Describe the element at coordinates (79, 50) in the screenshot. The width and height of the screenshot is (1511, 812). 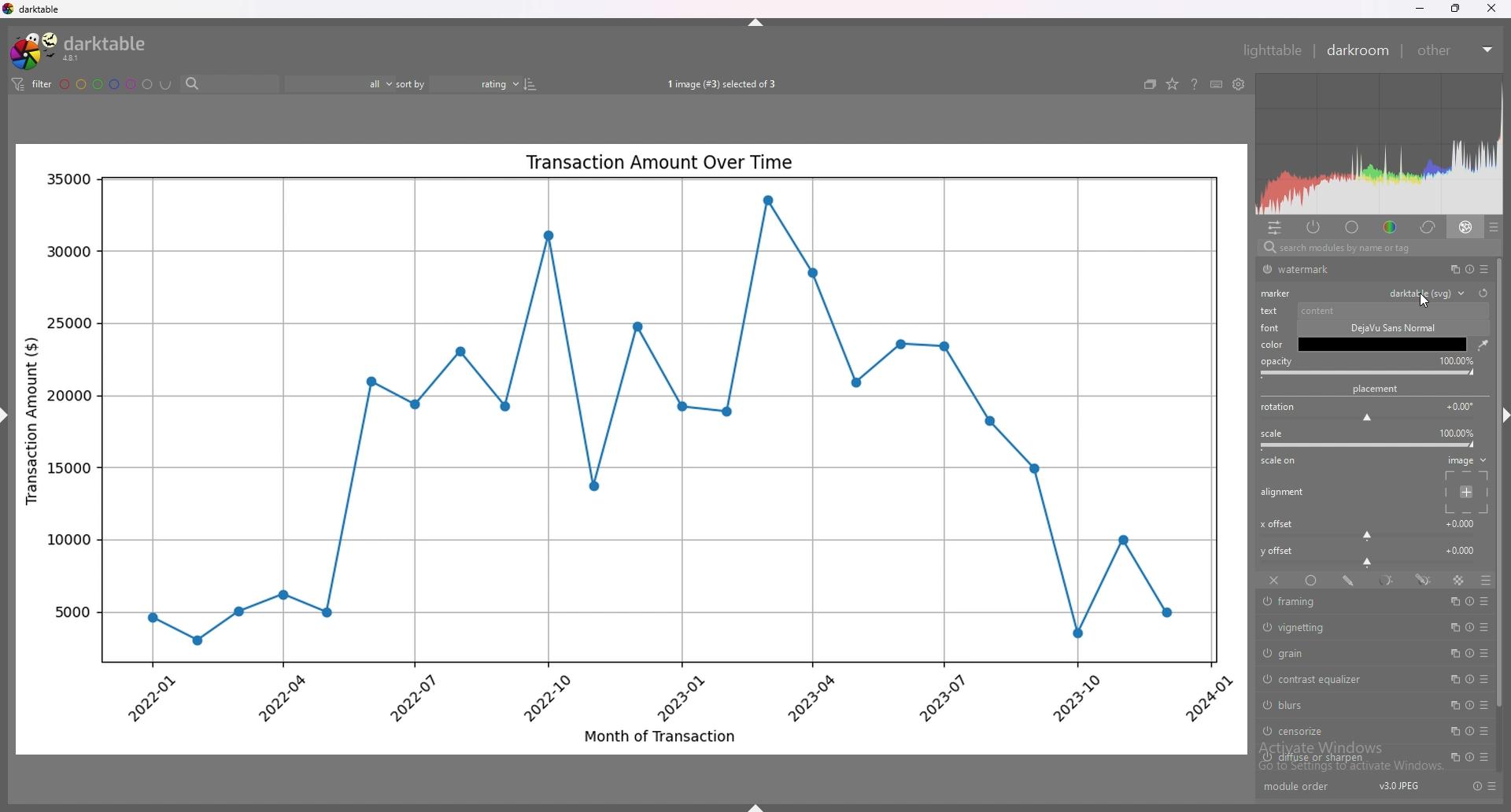
I see `darktable` at that location.